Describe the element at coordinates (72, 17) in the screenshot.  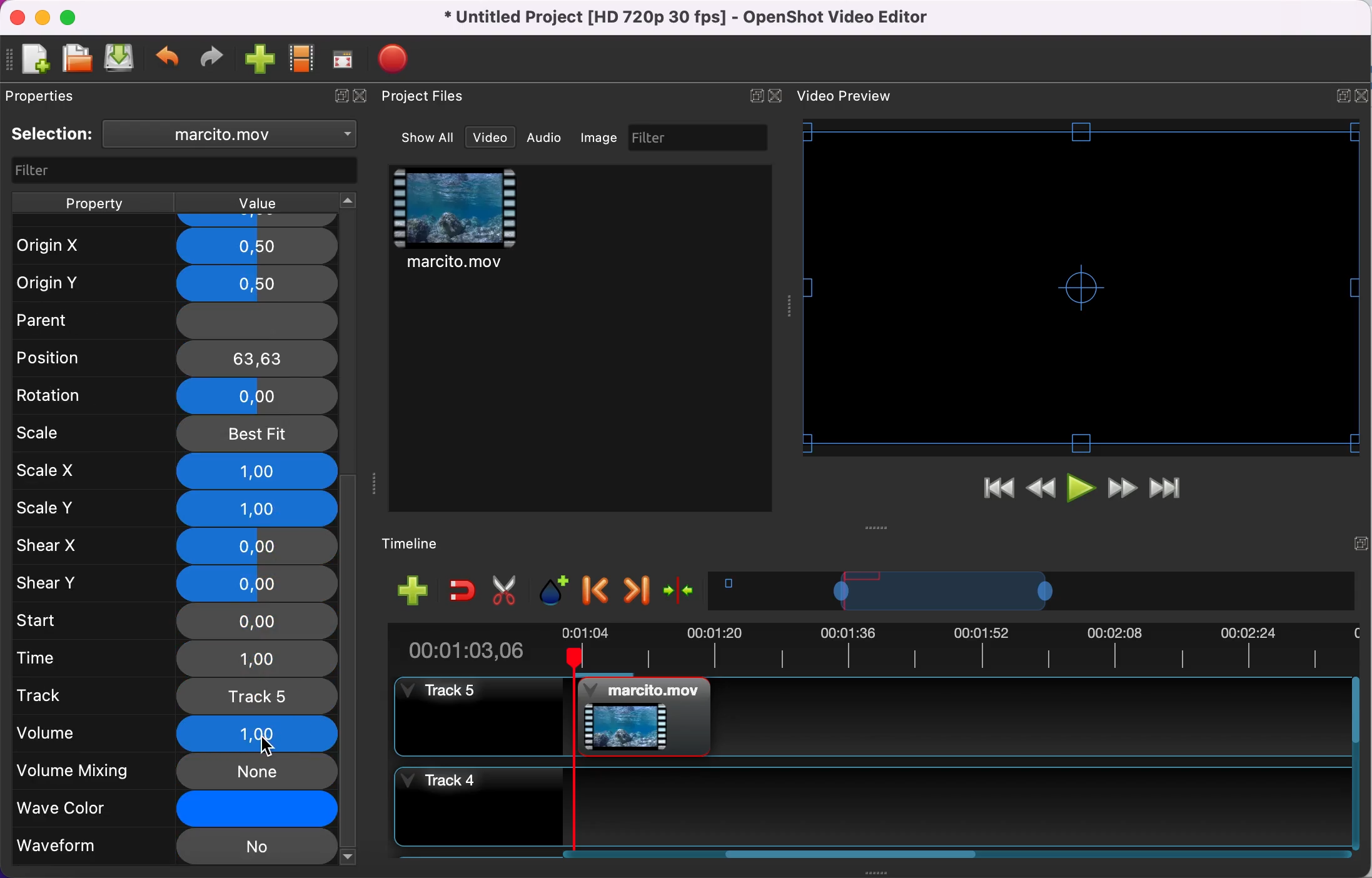
I see `maximize` at that location.